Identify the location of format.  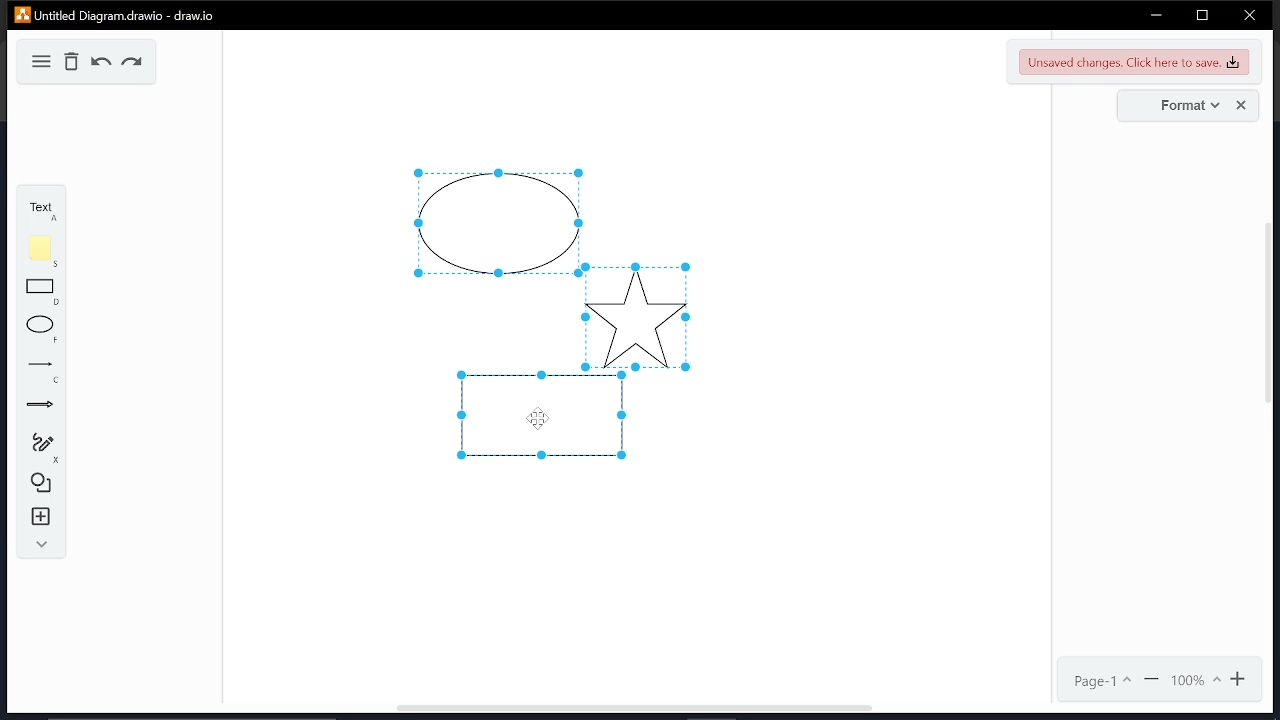
(1185, 106).